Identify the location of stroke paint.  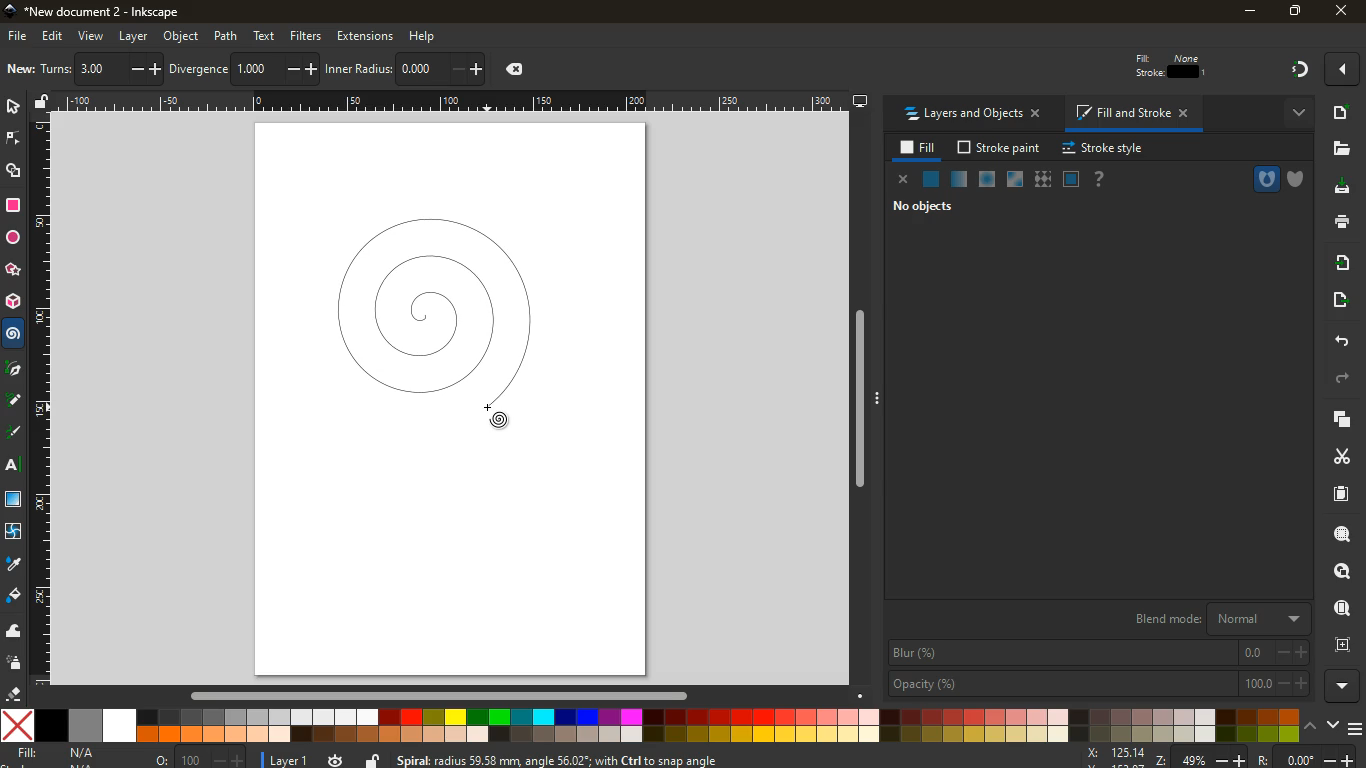
(1000, 148).